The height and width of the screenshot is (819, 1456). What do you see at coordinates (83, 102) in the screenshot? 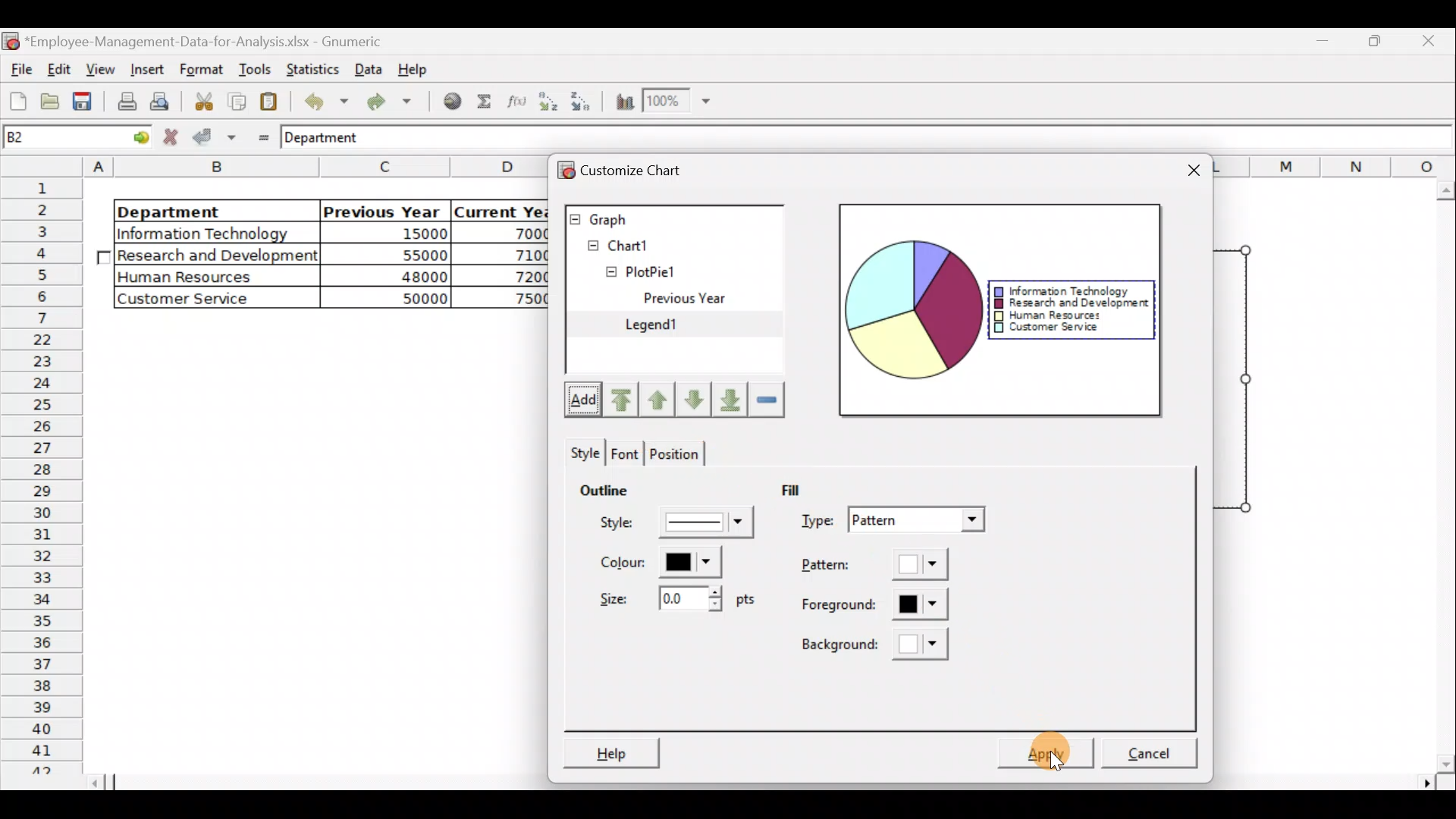
I see `Save the current workbook` at bounding box center [83, 102].